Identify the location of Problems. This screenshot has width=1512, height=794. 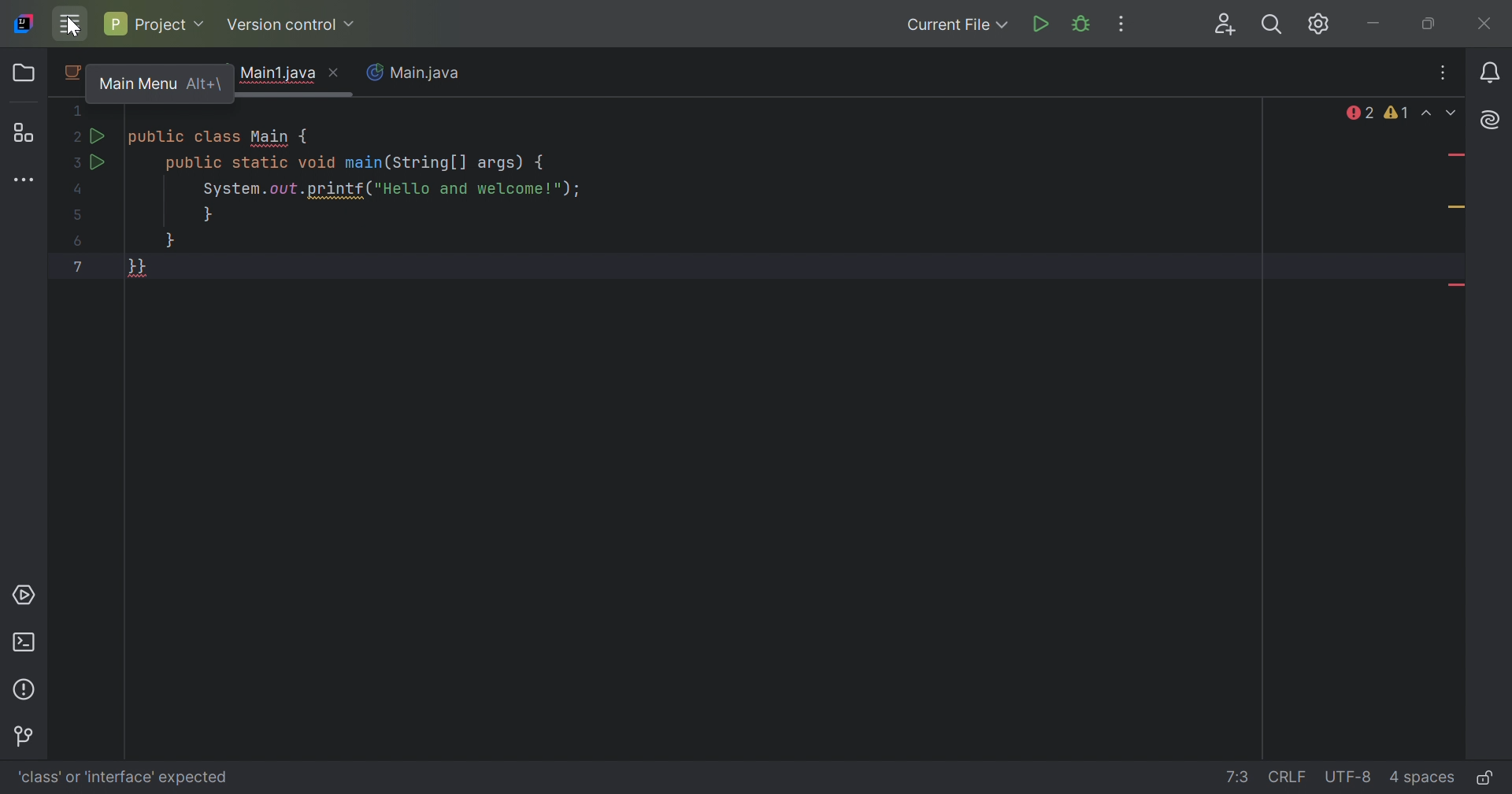
(26, 689).